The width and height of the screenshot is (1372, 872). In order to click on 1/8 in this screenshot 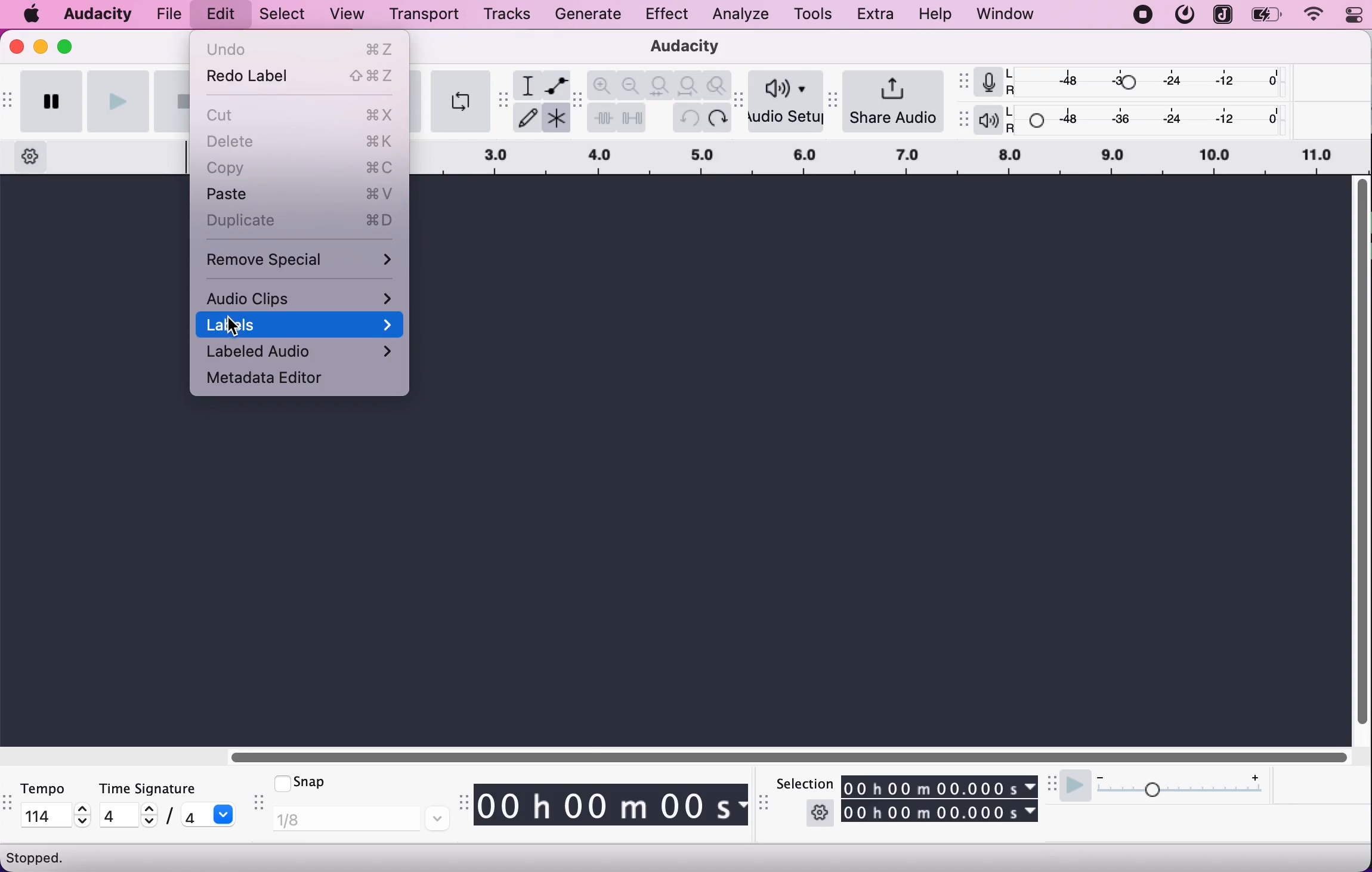, I will do `click(360, 820)`.